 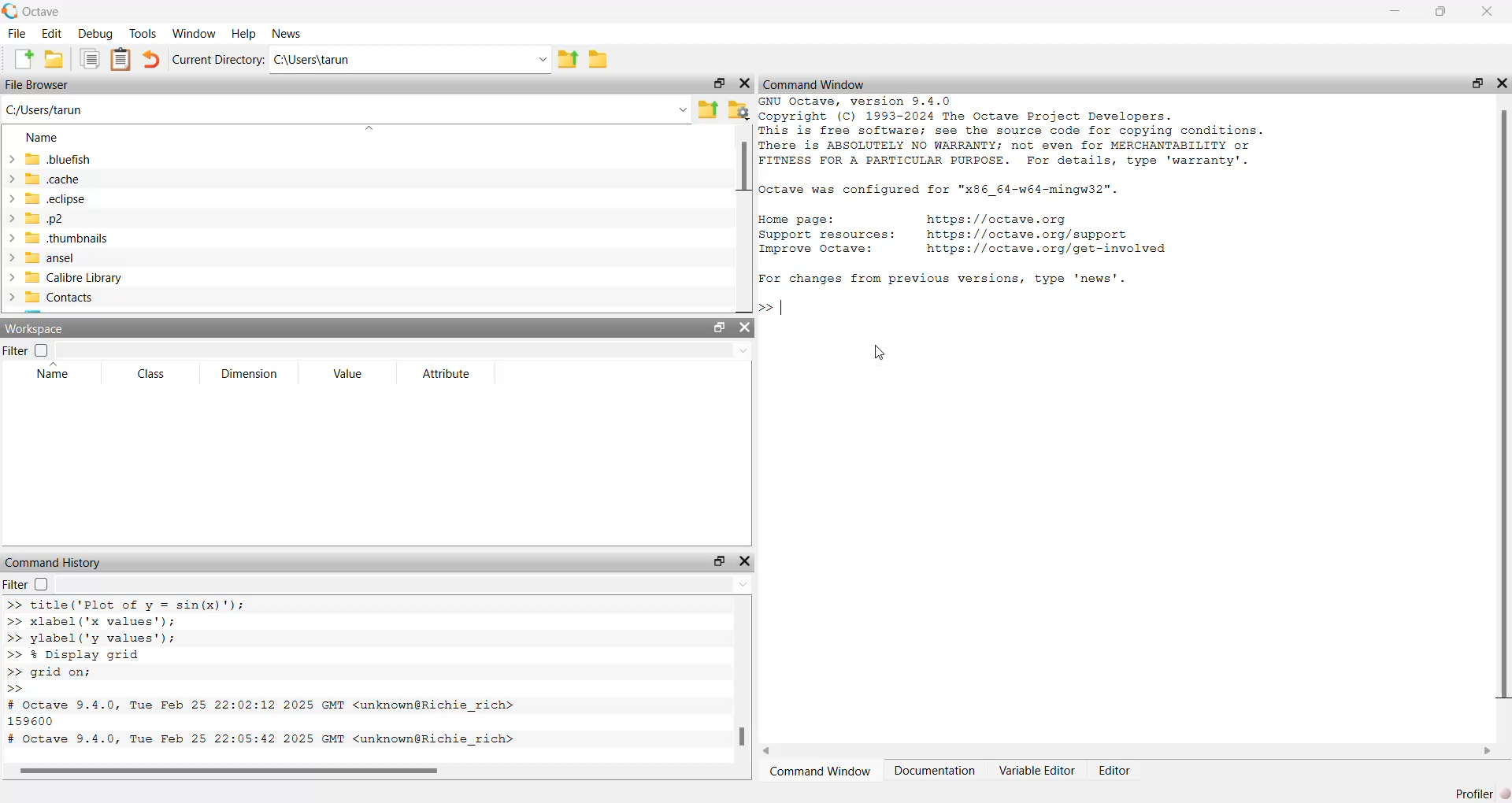 I want to click on Debug, so click(x=96, y=35).